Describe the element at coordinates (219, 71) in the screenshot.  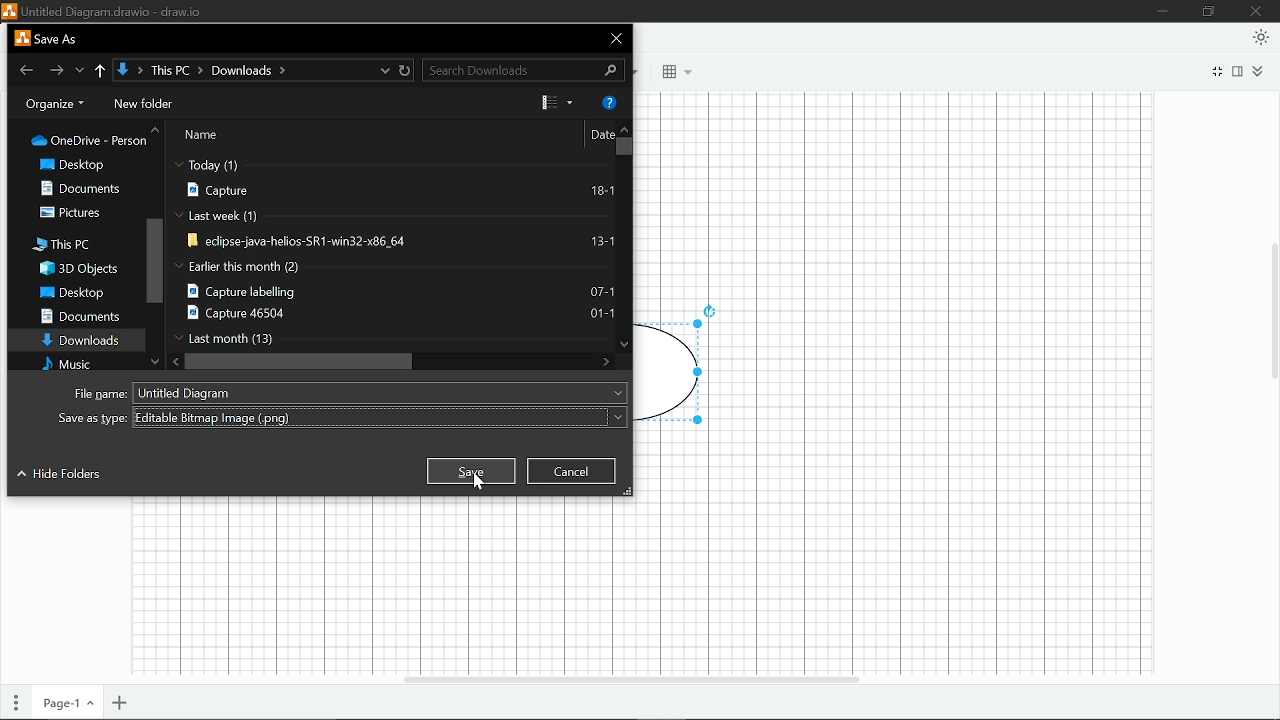
I see `Path of the current location` at that location.